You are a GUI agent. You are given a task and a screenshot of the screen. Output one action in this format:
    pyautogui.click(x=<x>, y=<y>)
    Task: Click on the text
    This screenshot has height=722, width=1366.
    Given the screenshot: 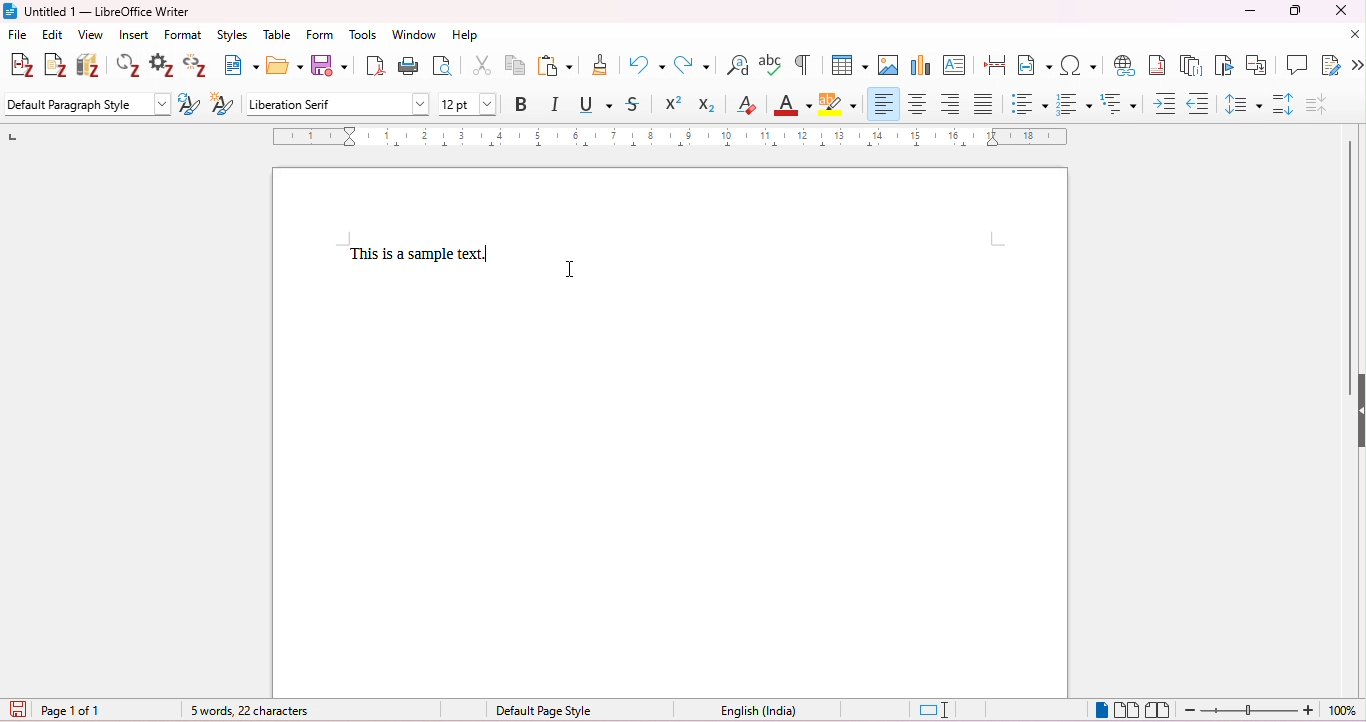 What is the action you would take?
    pyautogui.click(x=412, y=253)
    